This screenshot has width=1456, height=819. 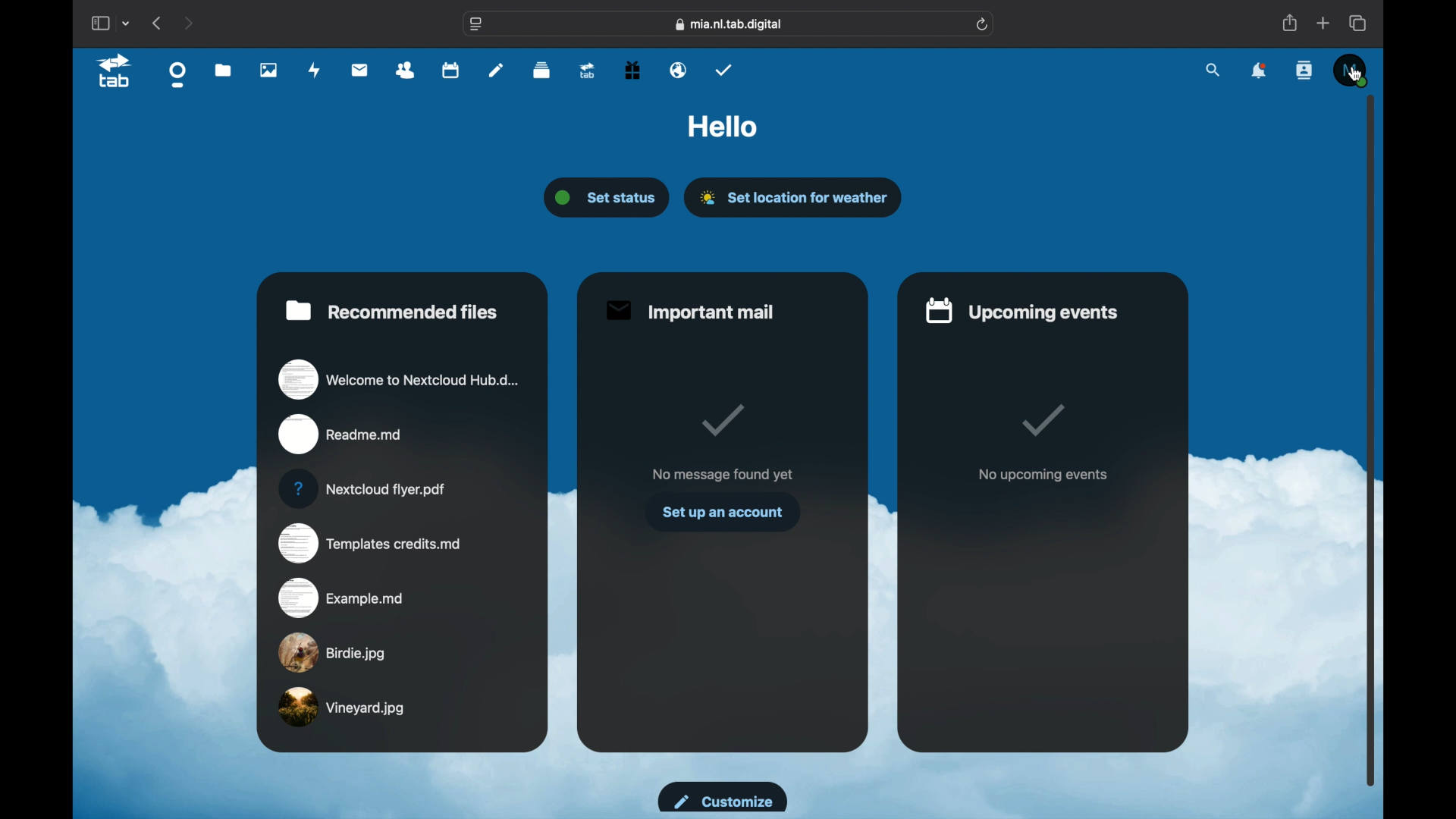 I want to click on scroll box, so click(x=1371, y=440).